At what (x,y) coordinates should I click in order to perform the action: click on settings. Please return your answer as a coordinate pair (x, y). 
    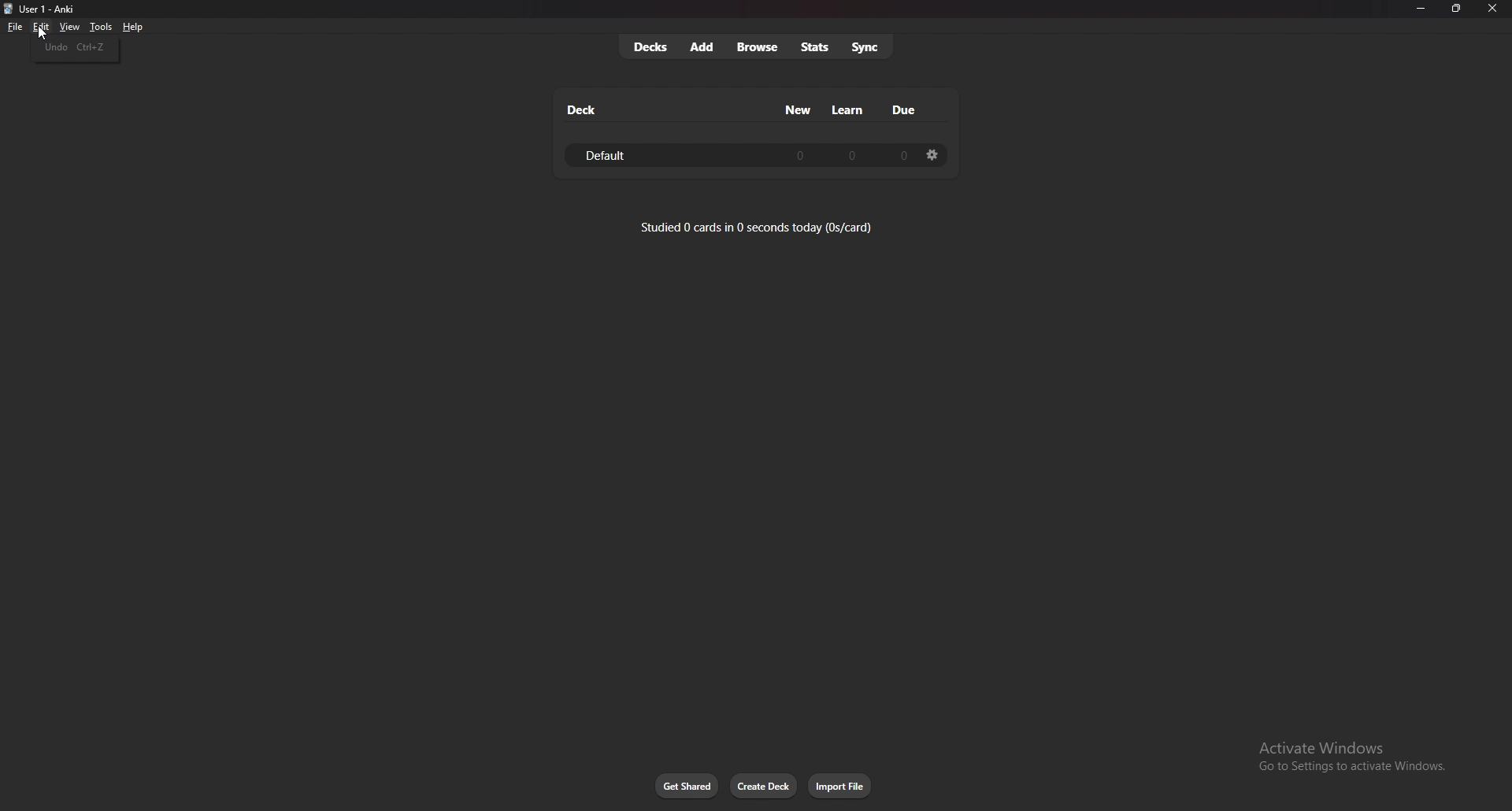
    Looking at the image, I should click on (933, 154).